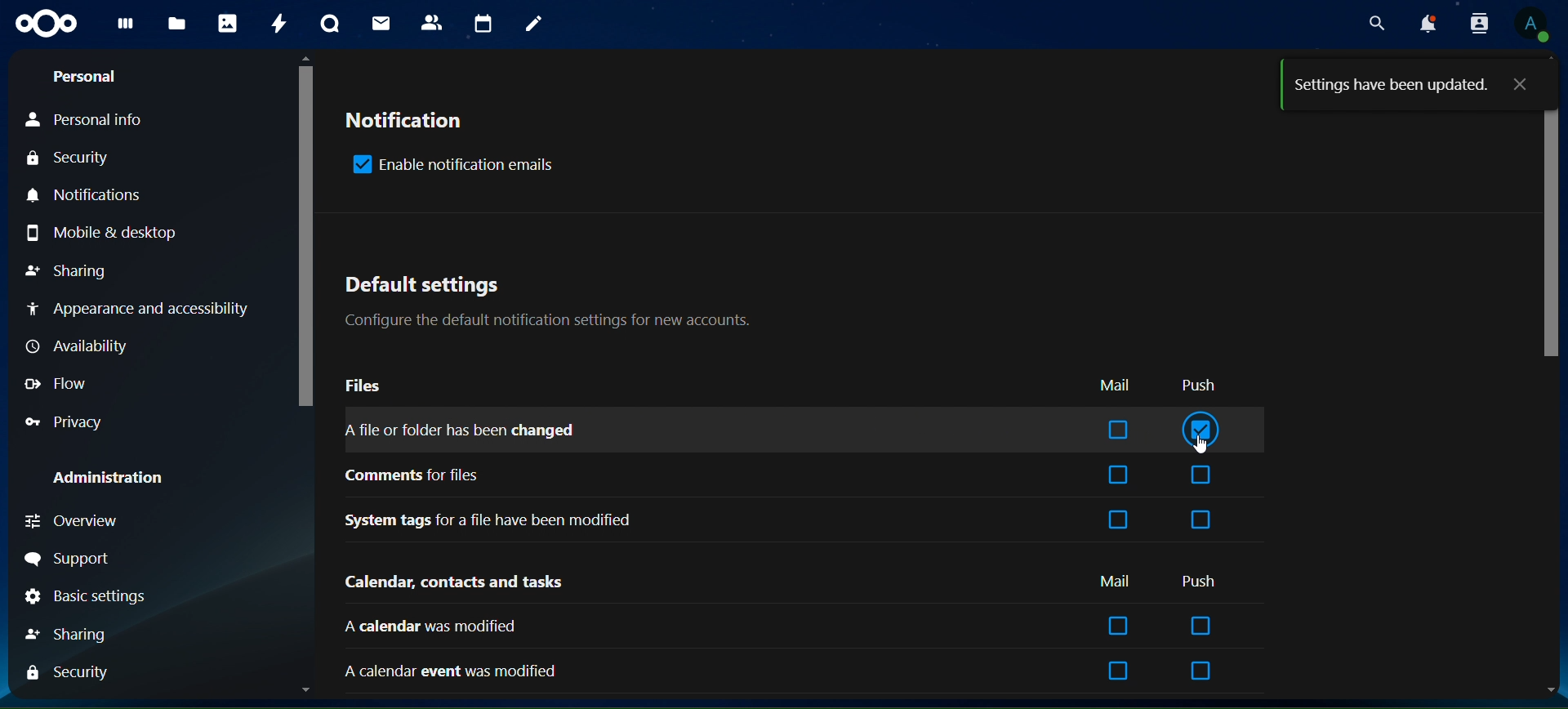 The width and height of the screenshot is (1568, 709). Describe the element at coordinates (1201, 431) in the screenshot. I see `tick` at that location.